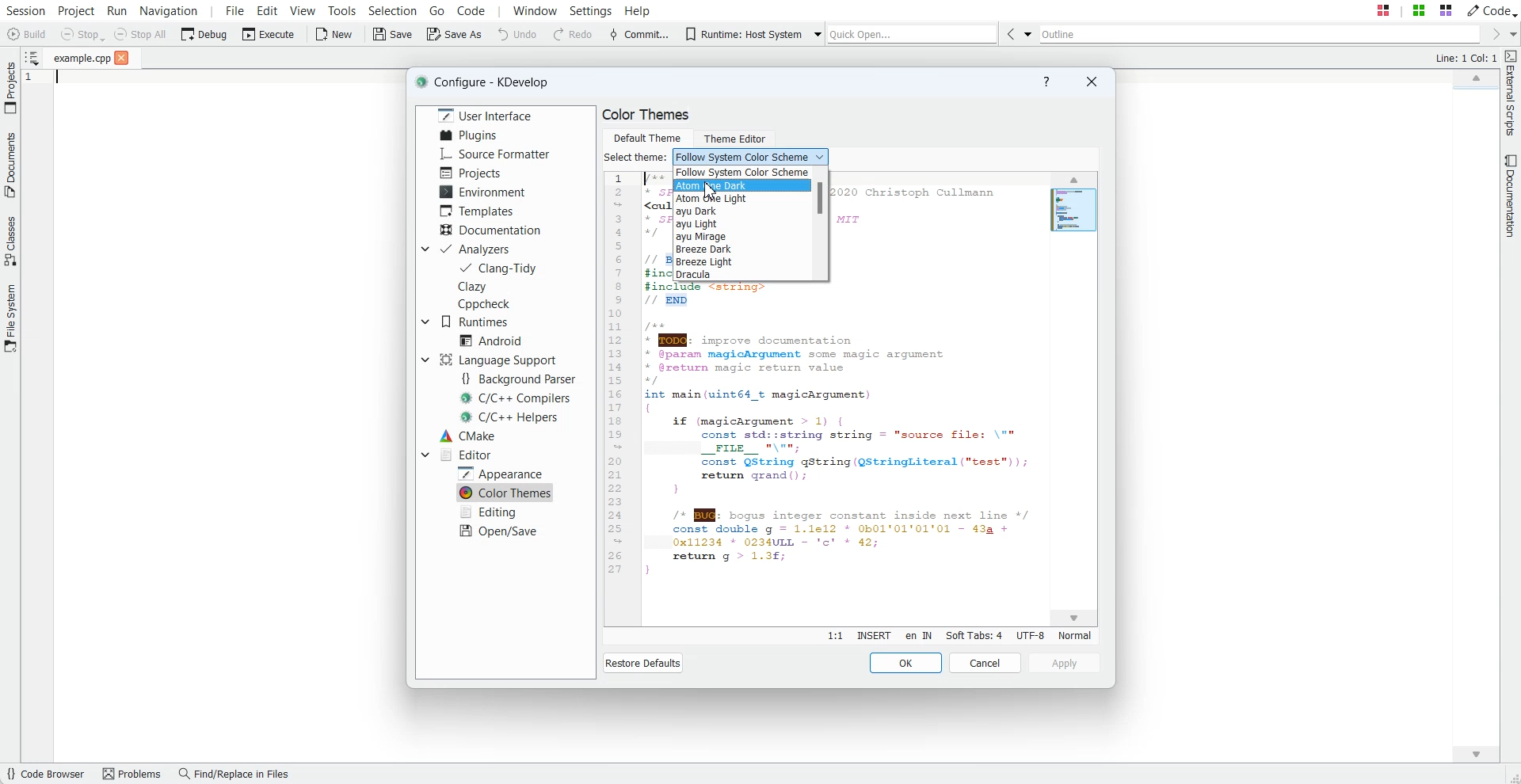  Describe the element at coordinates (490, 229) in the screenshot. I see `Documentation` at that location.